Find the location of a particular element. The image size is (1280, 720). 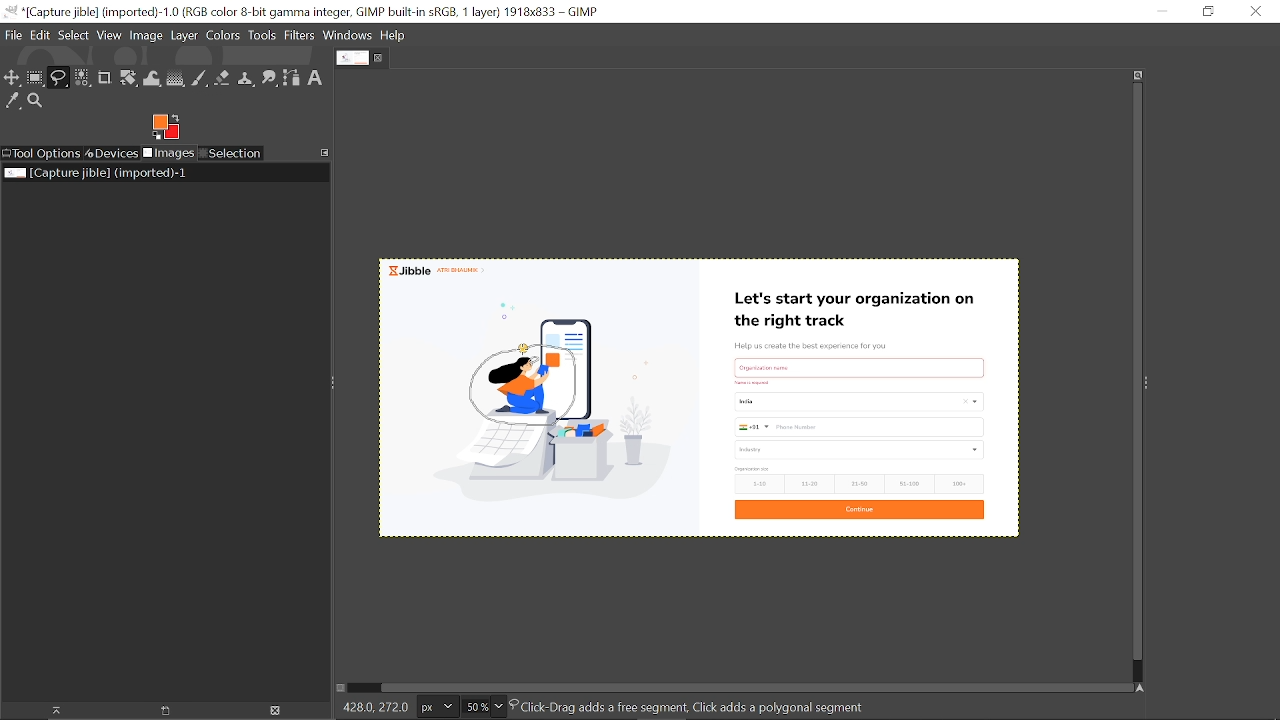

Current image unit is located at coordinates (435, 707).